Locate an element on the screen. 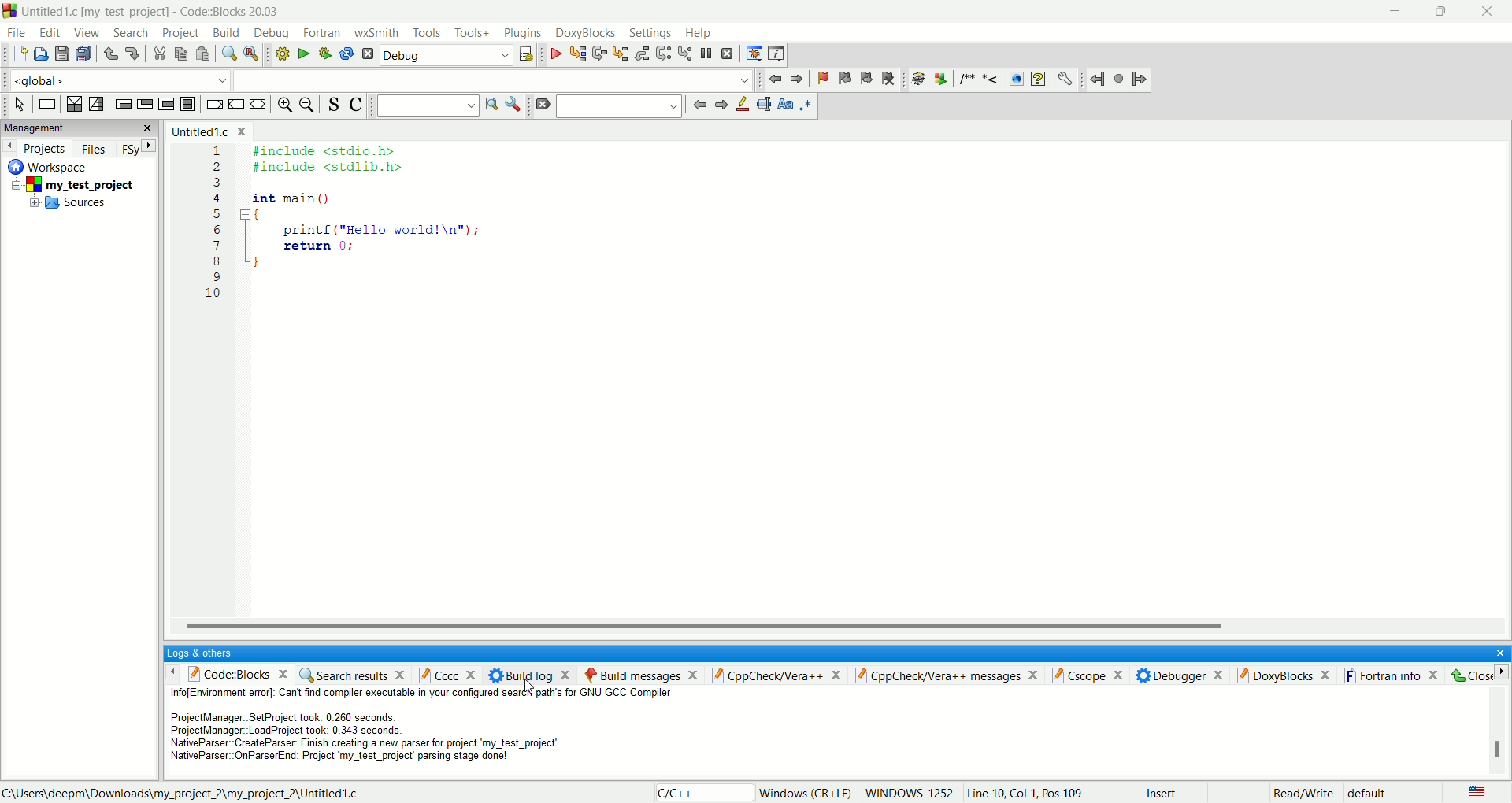 This screenshot has height=803, width=1512. help is located at coordinates (697, 34).